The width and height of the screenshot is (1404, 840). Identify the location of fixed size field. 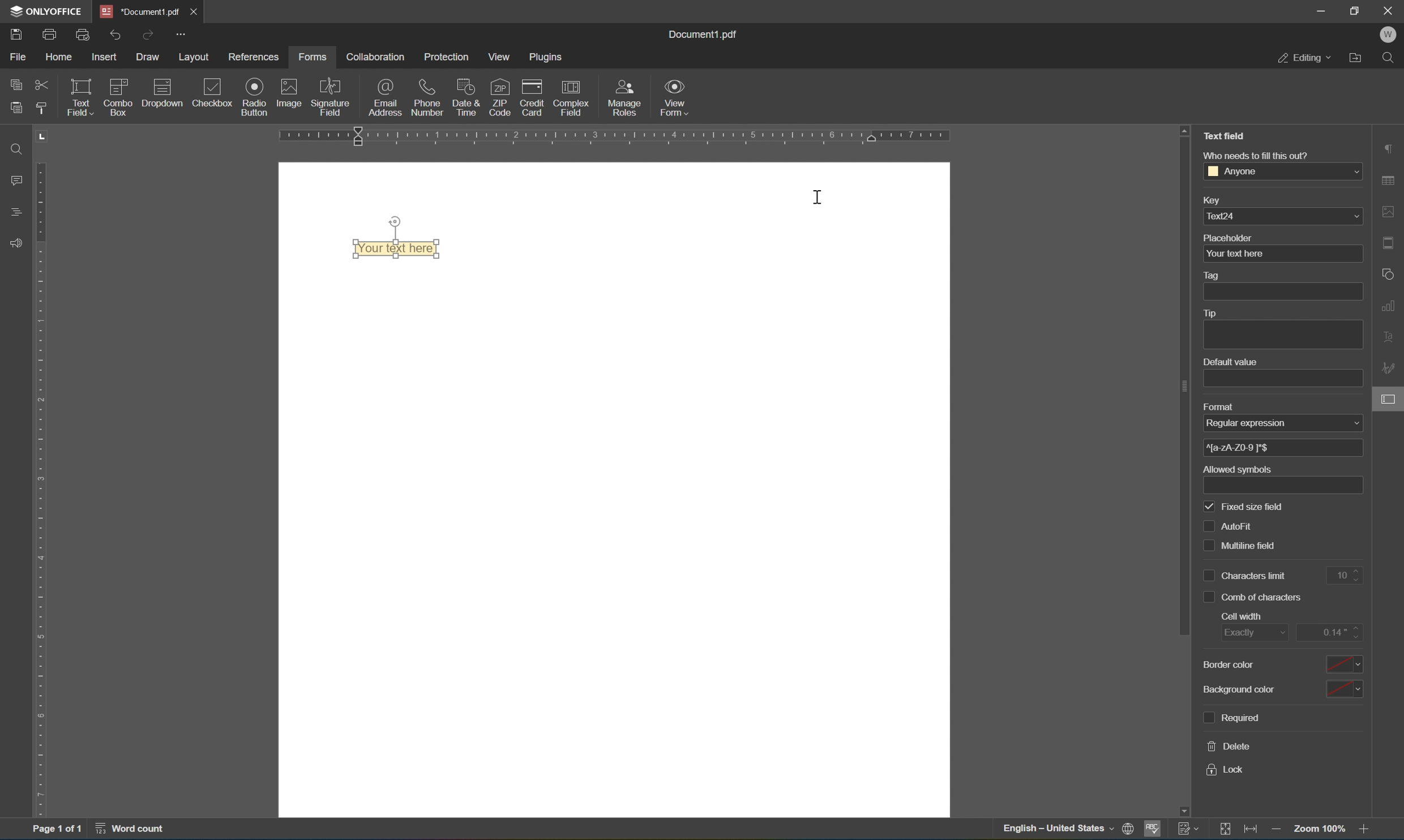
(1244, 508).